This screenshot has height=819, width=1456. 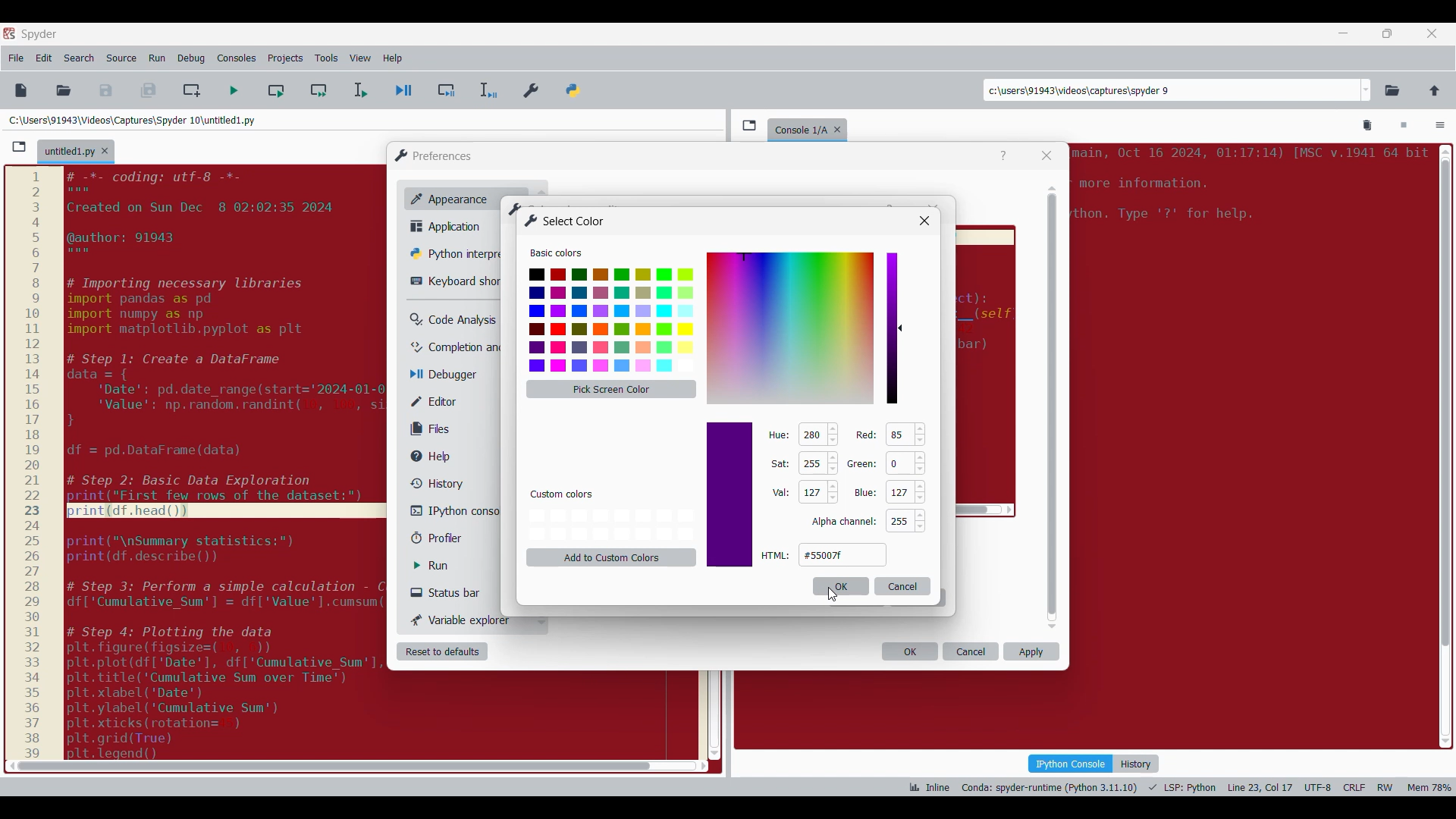 What do you see at coordinates (863, 463) in the screenshot?
I see `green` at bounding box center [863, 463].